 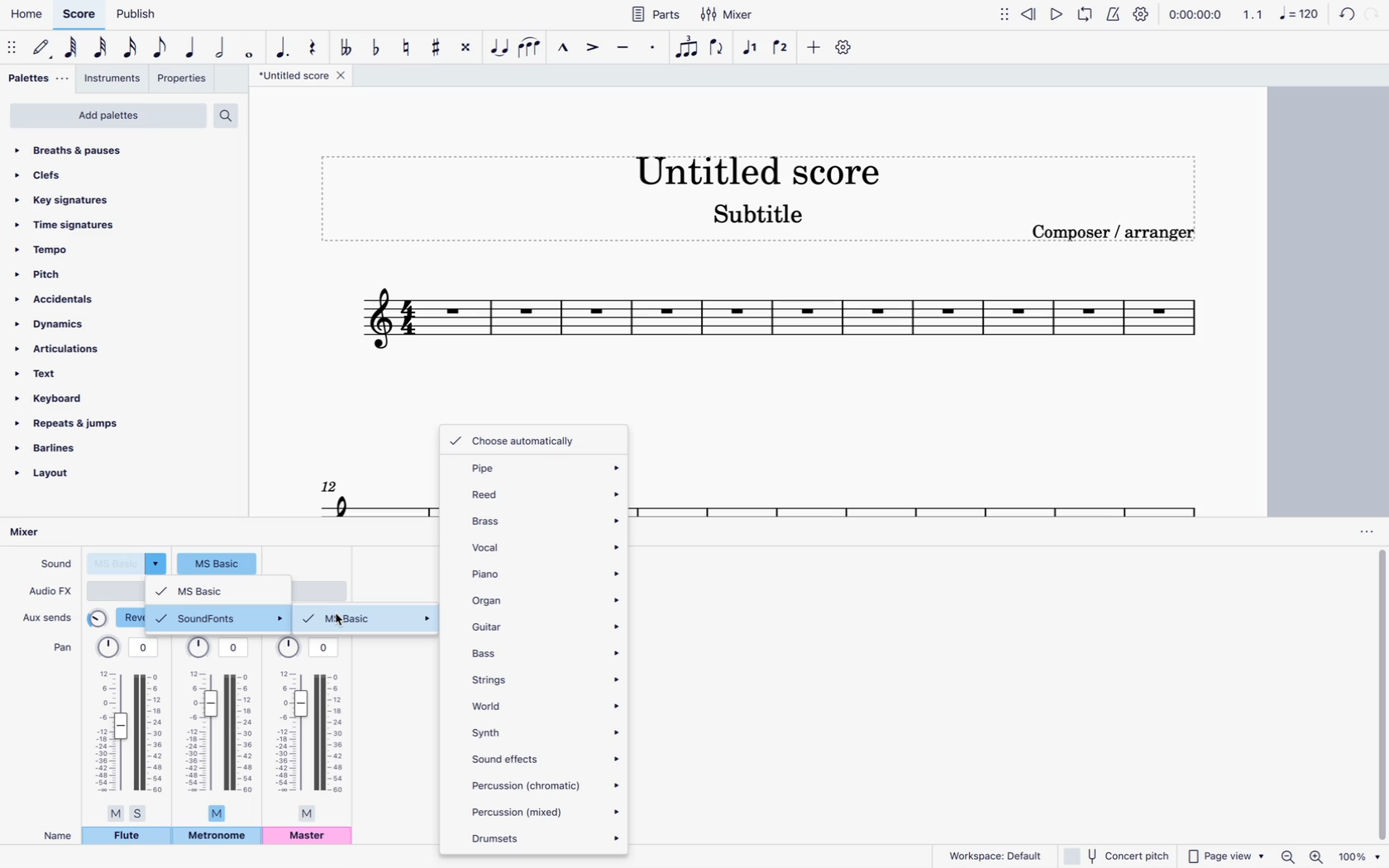 I want to click on dynamics, so click(x=59, y=325).